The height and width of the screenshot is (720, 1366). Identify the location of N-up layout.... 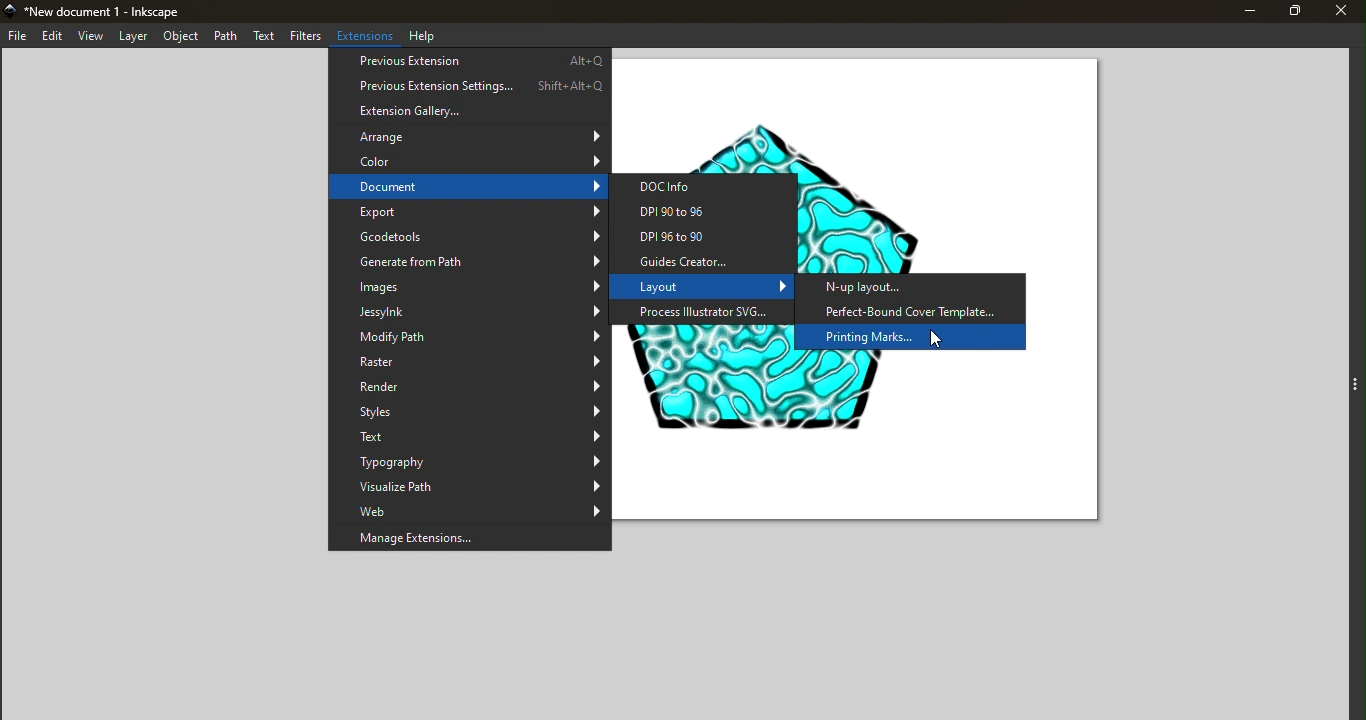
(874, 288).